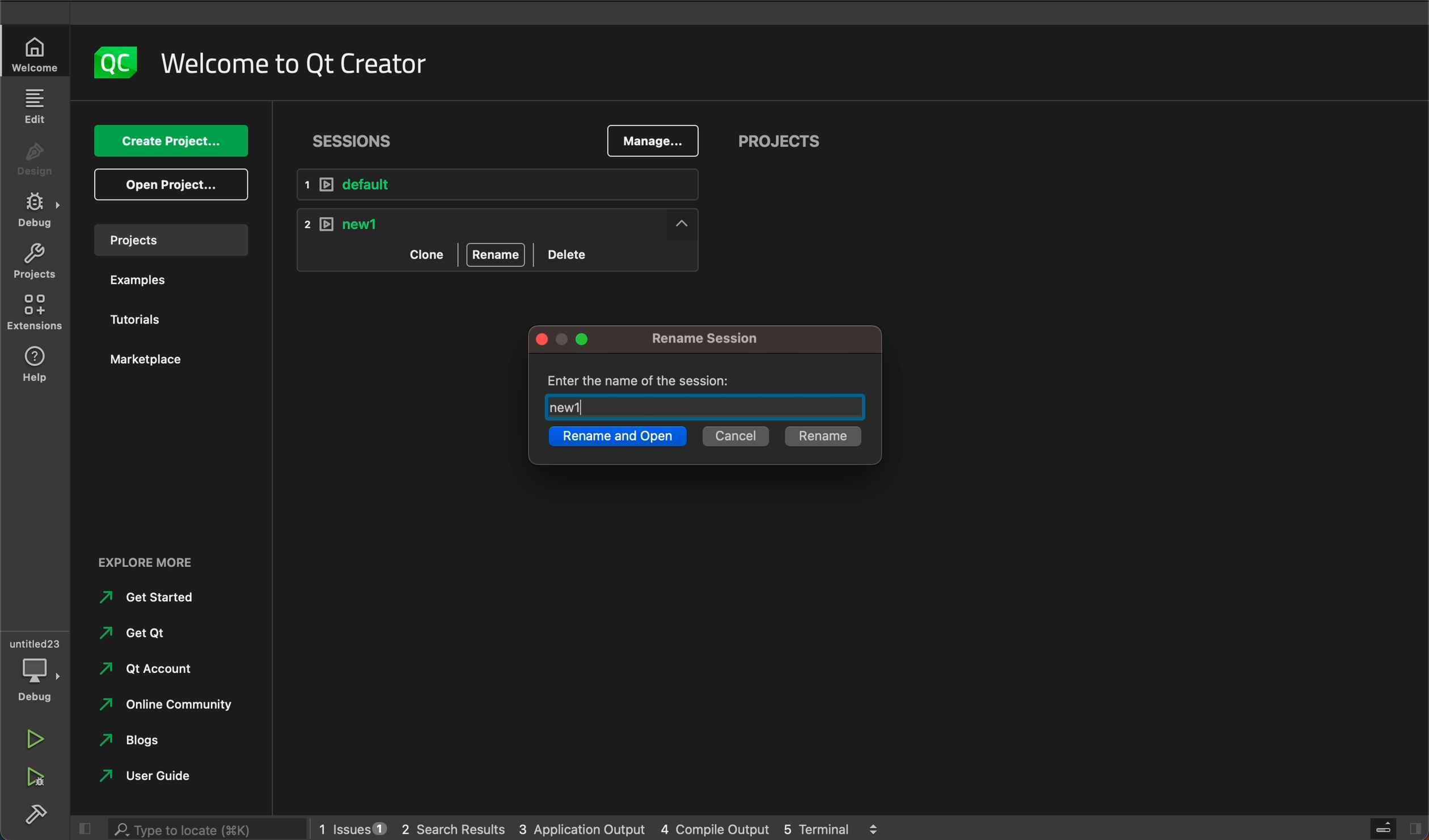 The height and width of the screenshot is (840, 1429). What do you see at coordinates (157, 667) in the screenshot?
I see `qt account` at bounding box center [157, 667].